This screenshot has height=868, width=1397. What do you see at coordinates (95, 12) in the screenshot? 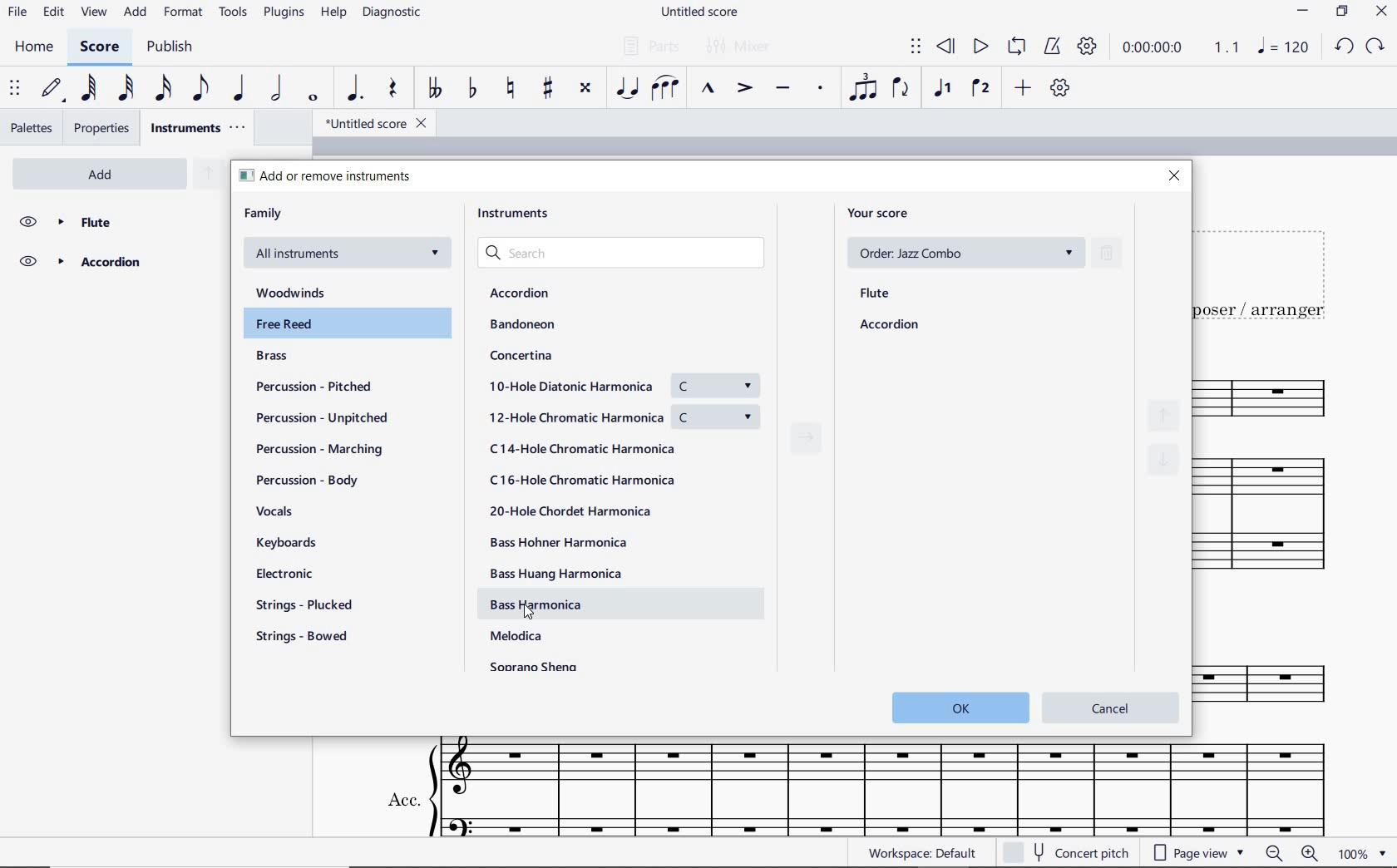
I see `VIEW` at bounding box center [95, 12].